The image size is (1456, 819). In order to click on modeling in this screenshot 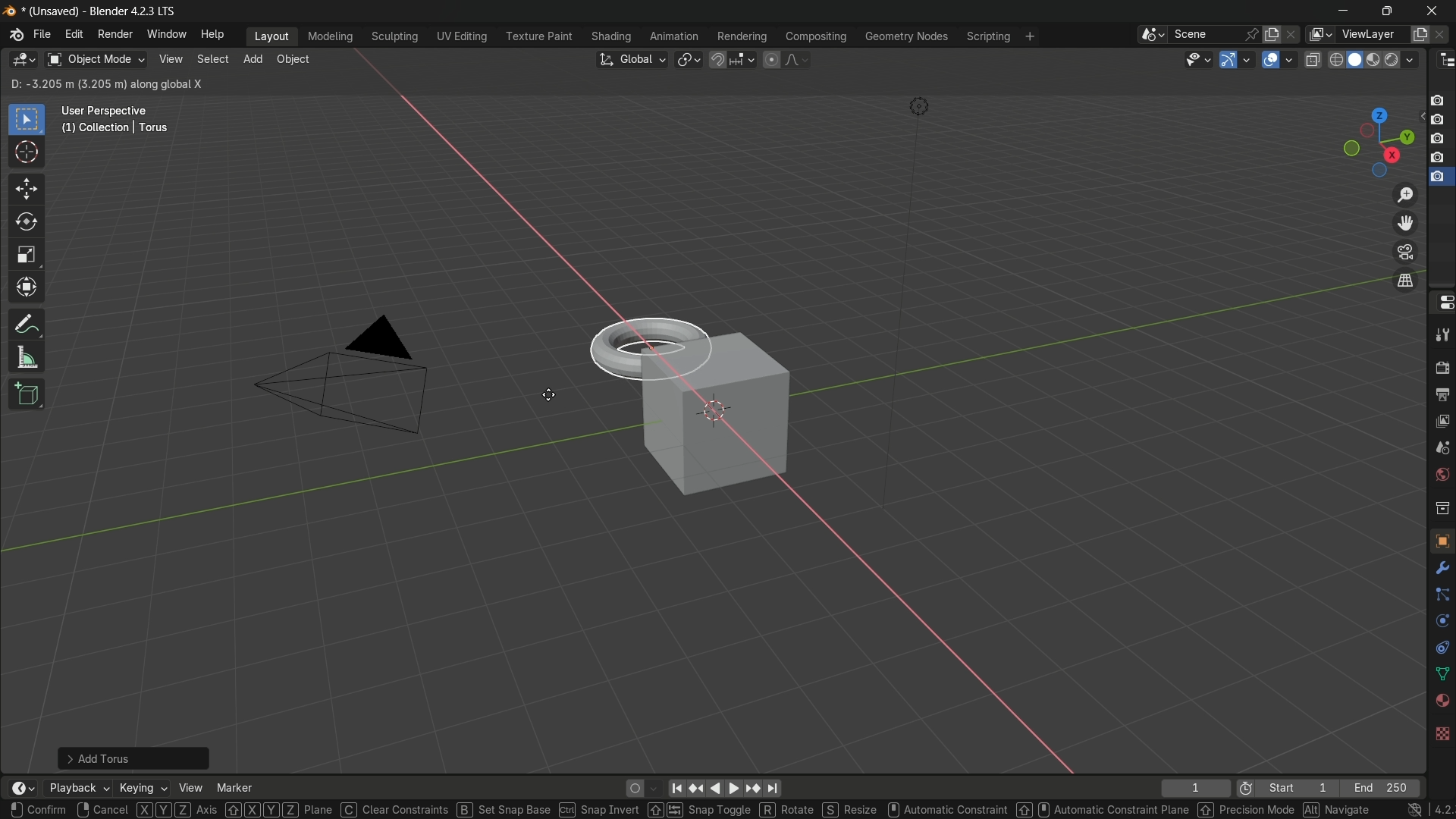, I will do `click(331, 37)`.